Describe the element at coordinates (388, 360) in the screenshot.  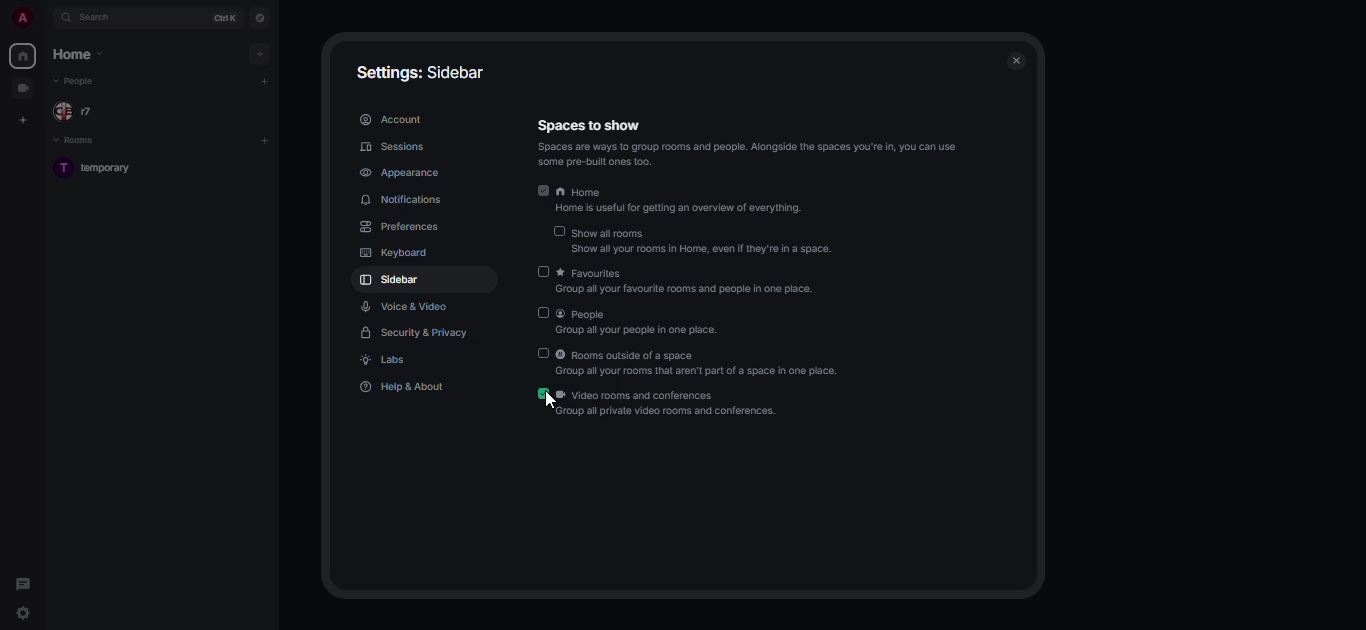
I see `labs` at that location.